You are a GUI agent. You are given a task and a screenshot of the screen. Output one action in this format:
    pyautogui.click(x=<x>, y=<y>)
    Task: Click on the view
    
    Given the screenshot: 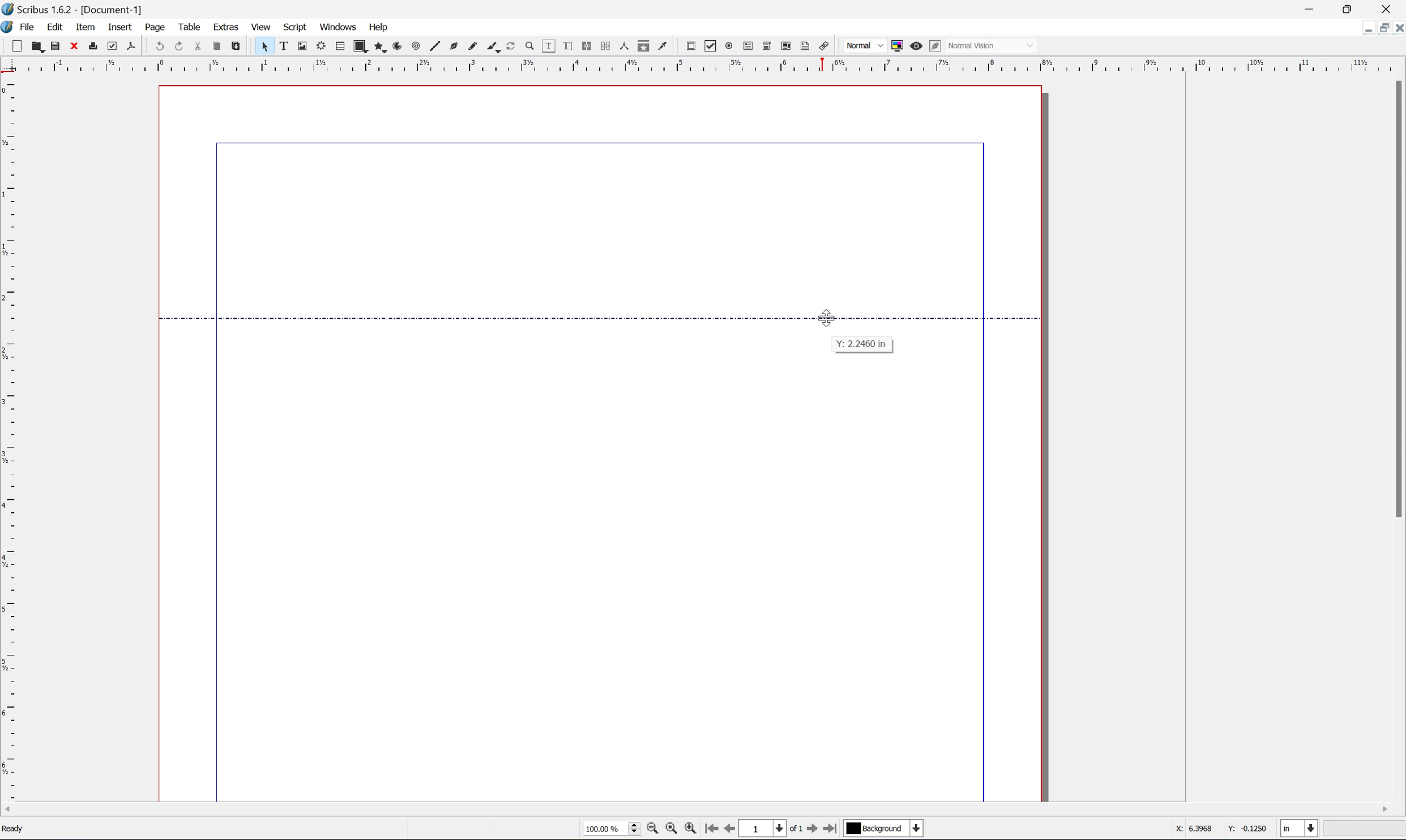 What is the action you would take?
    pyautogui.click(x=263, y=25)
    